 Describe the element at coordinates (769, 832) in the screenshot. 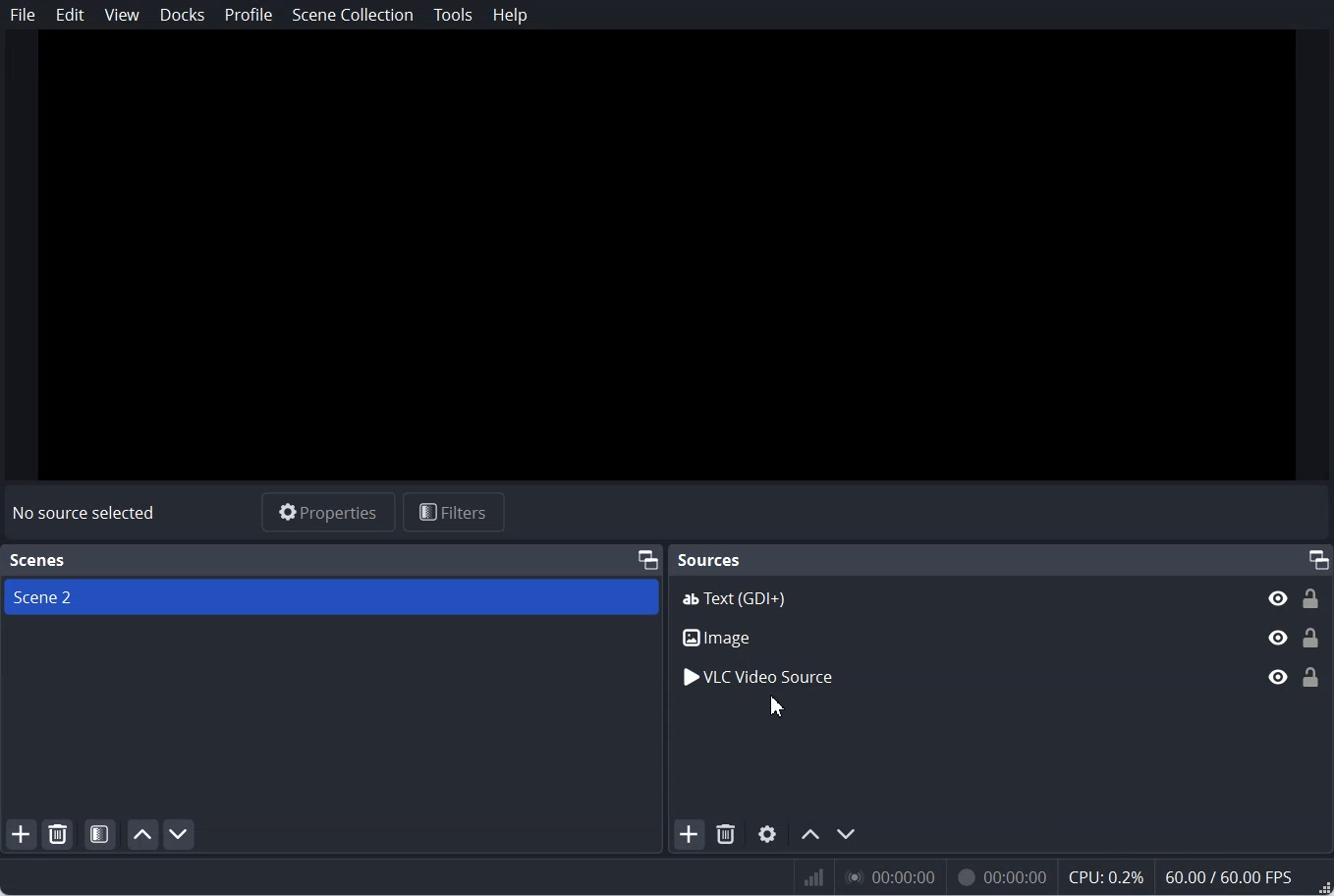

I see `Open source Properties` at that location.